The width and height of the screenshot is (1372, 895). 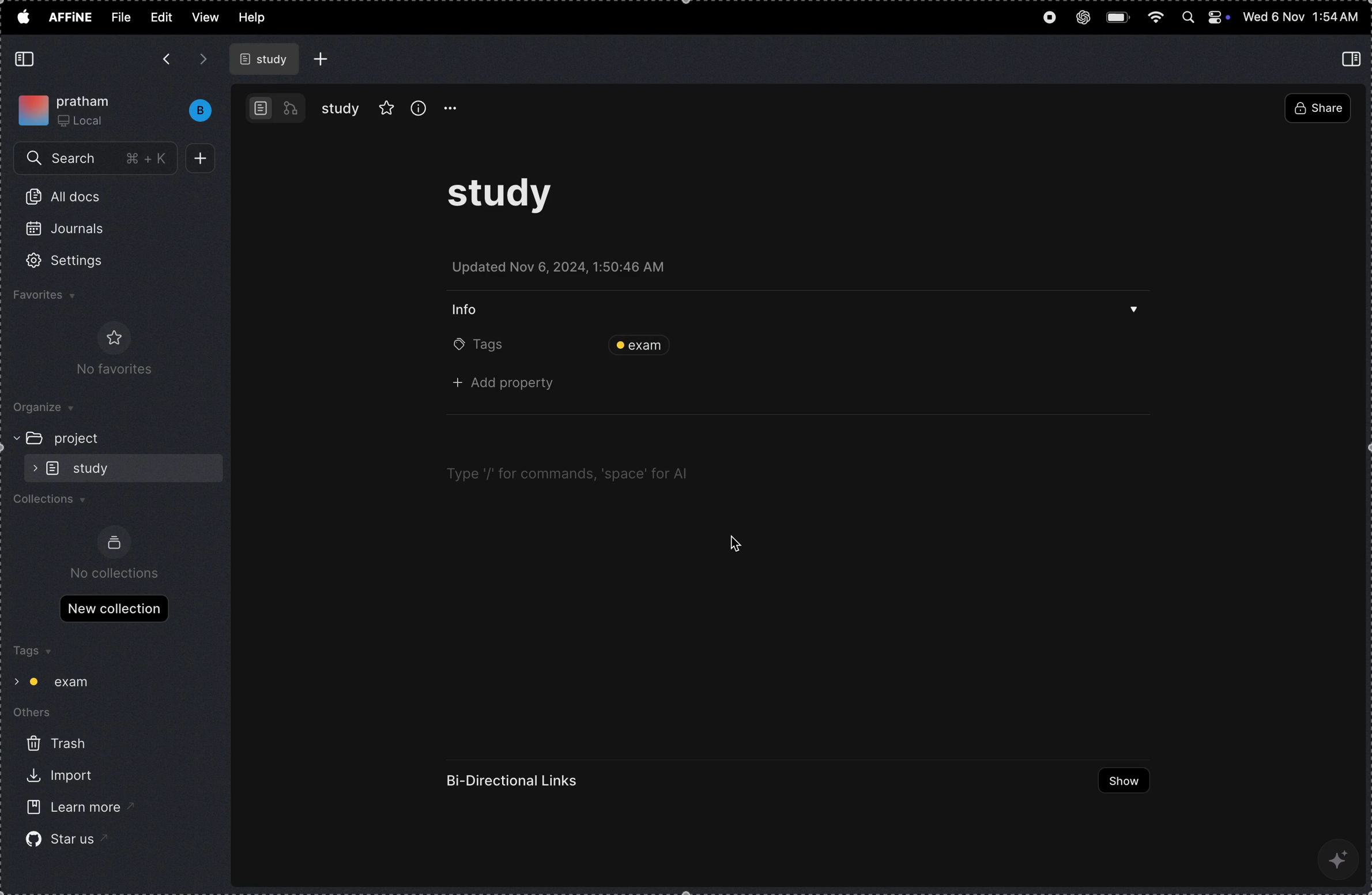 I want to click on add file, so click(x=322, y=59).